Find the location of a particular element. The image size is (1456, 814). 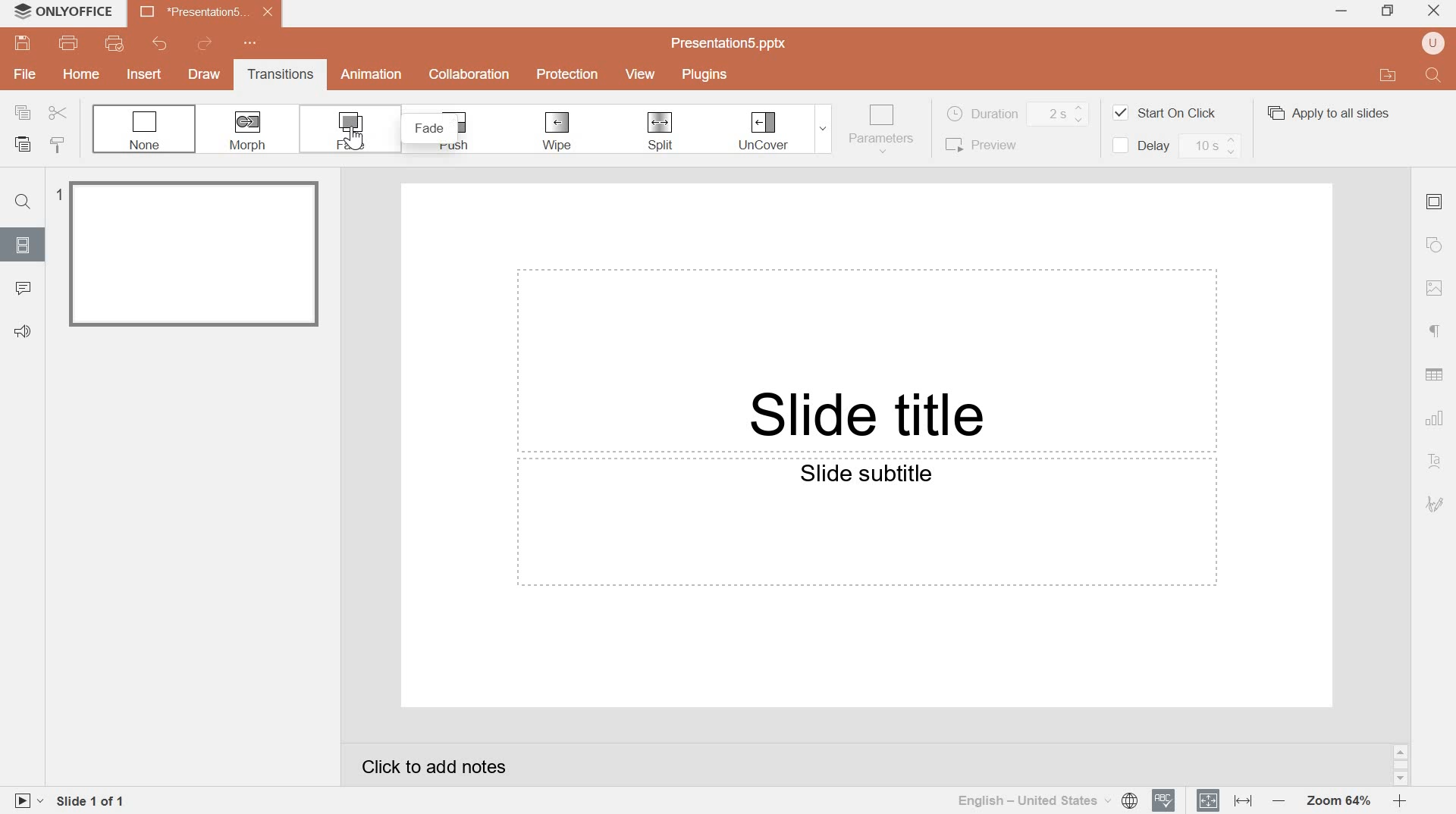

None is located at coordinates (145, 130).